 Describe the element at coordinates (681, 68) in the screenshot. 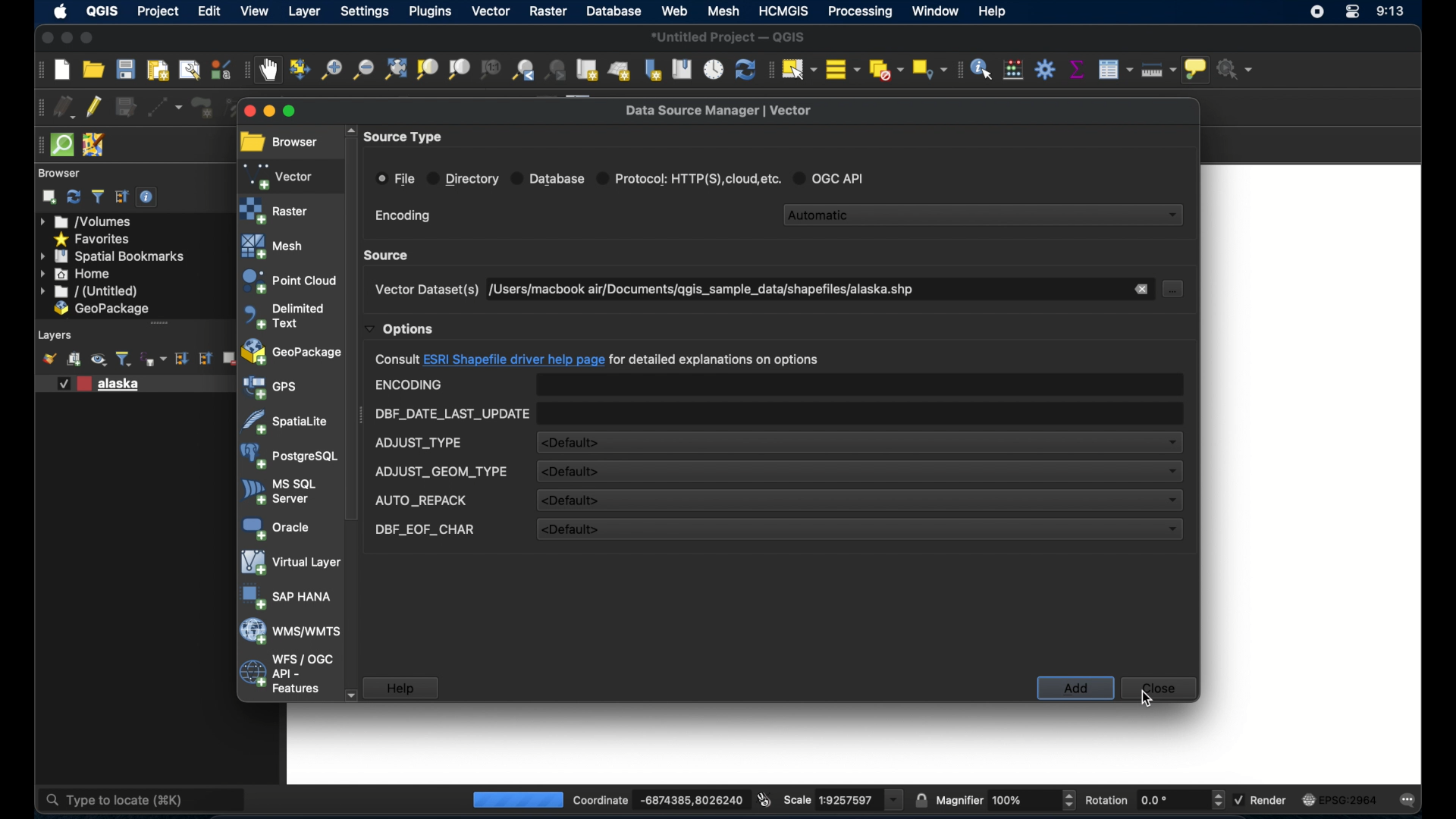

I see `show spatial bookmarks` at that location.